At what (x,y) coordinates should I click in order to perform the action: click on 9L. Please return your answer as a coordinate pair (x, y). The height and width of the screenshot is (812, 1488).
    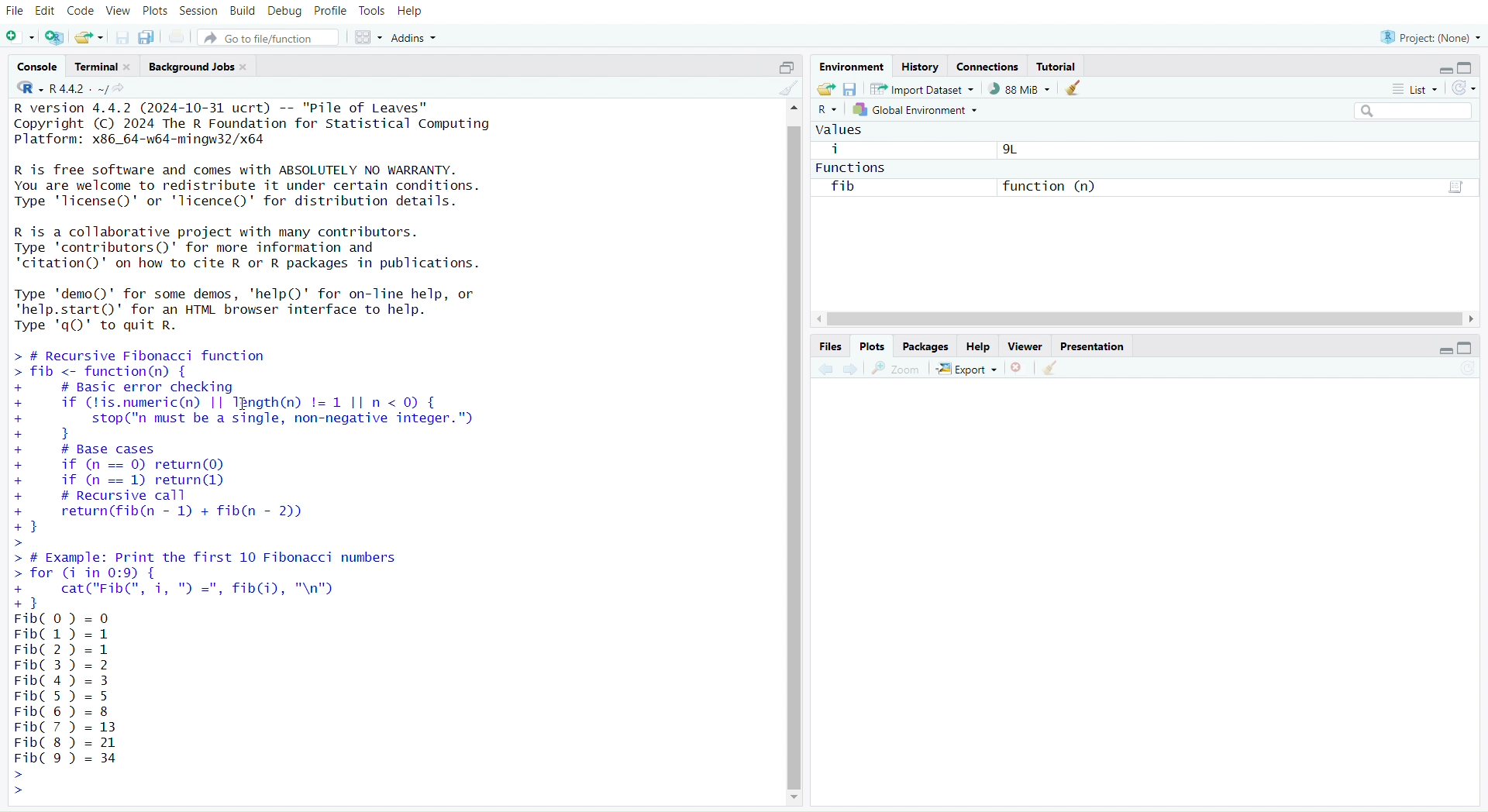
    Looking at the image, I should click on (1013, 150).